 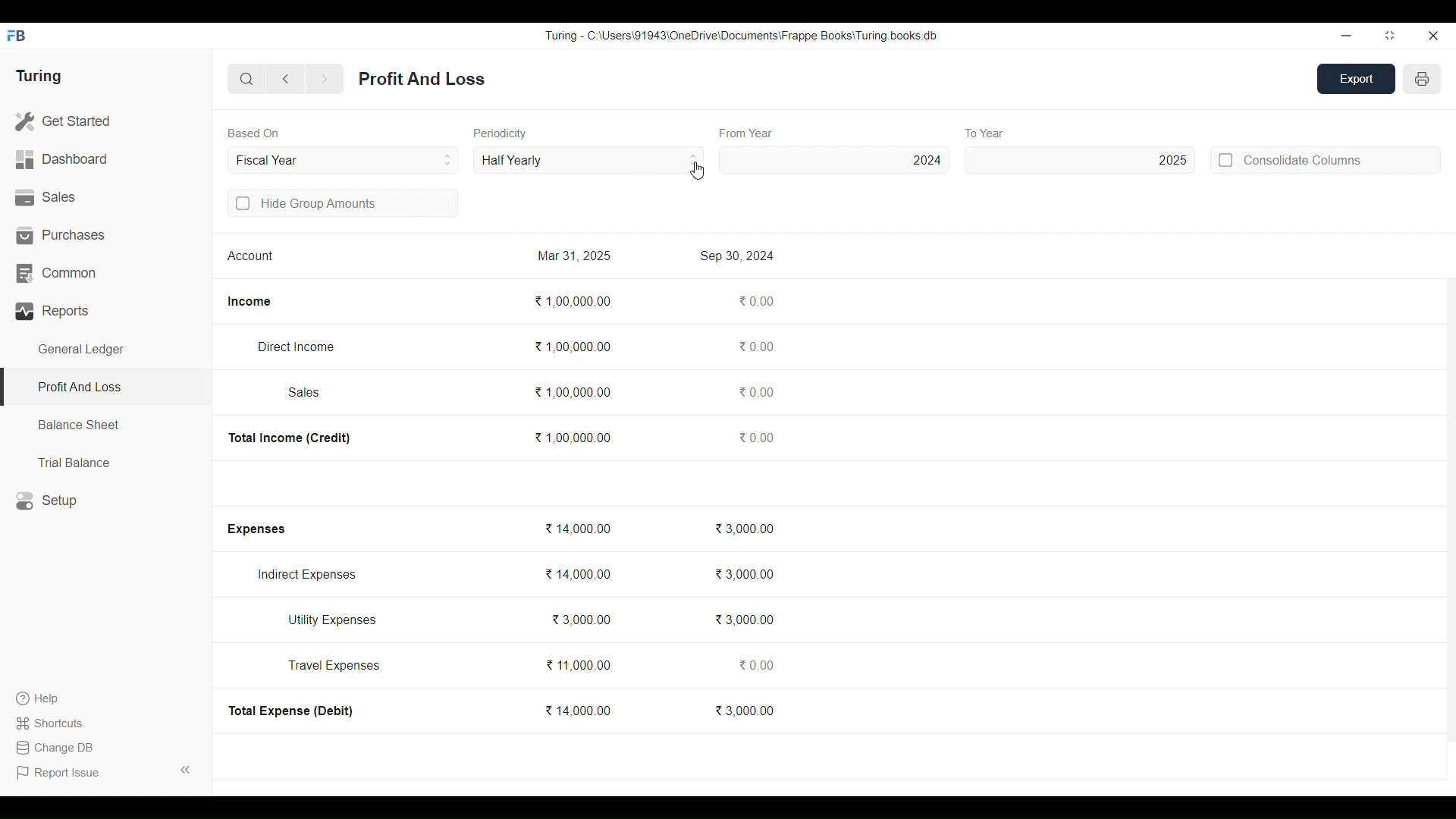 I want to click on Until Date, so click(x=344, y=160).